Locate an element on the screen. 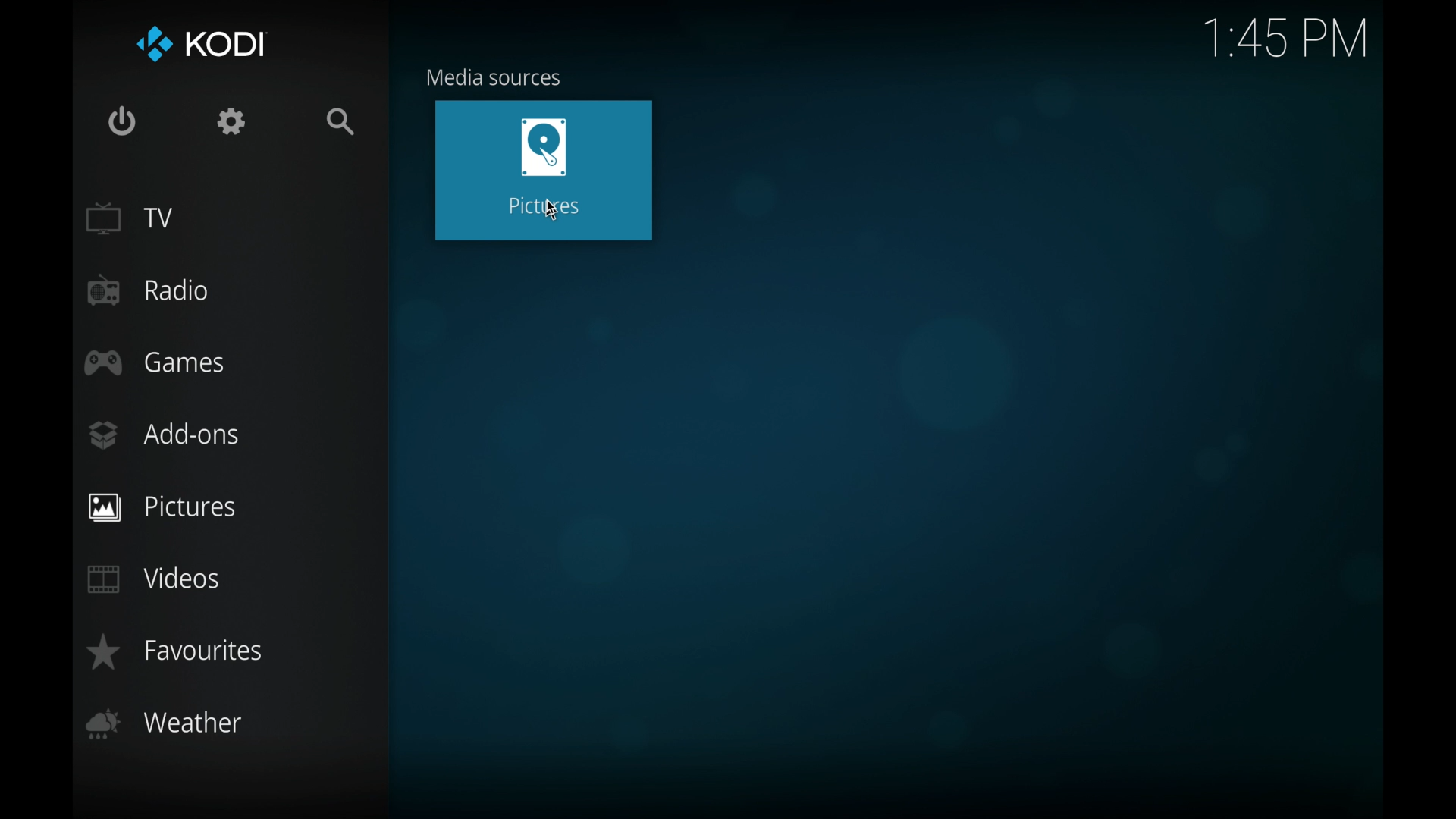 Image resolution: width=1456 pixels, height=819 pixels. add-ons is located at coordinates (165, 435).